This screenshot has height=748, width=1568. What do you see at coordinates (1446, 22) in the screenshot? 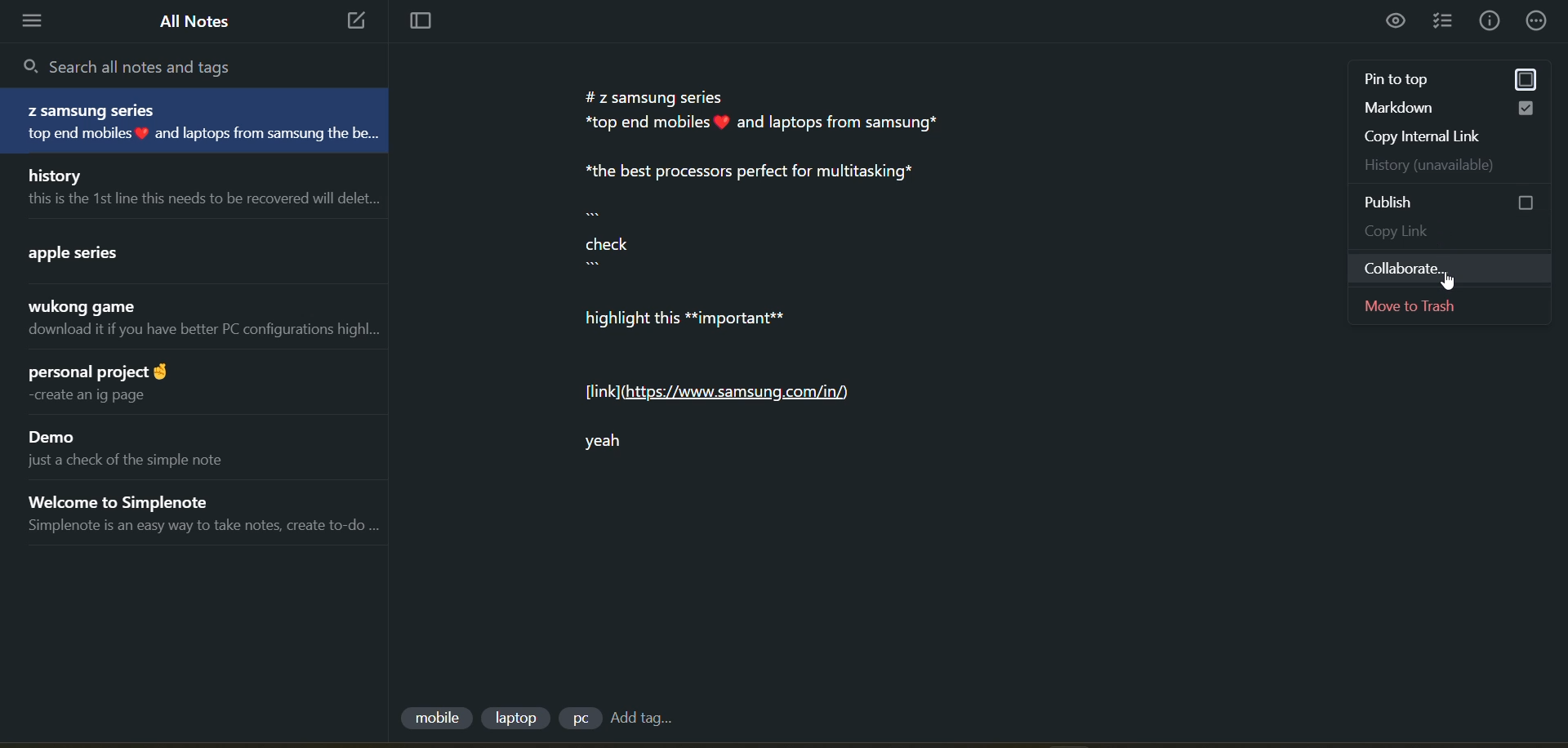
I see `insert checklist` at bounding box center [1446, 22].